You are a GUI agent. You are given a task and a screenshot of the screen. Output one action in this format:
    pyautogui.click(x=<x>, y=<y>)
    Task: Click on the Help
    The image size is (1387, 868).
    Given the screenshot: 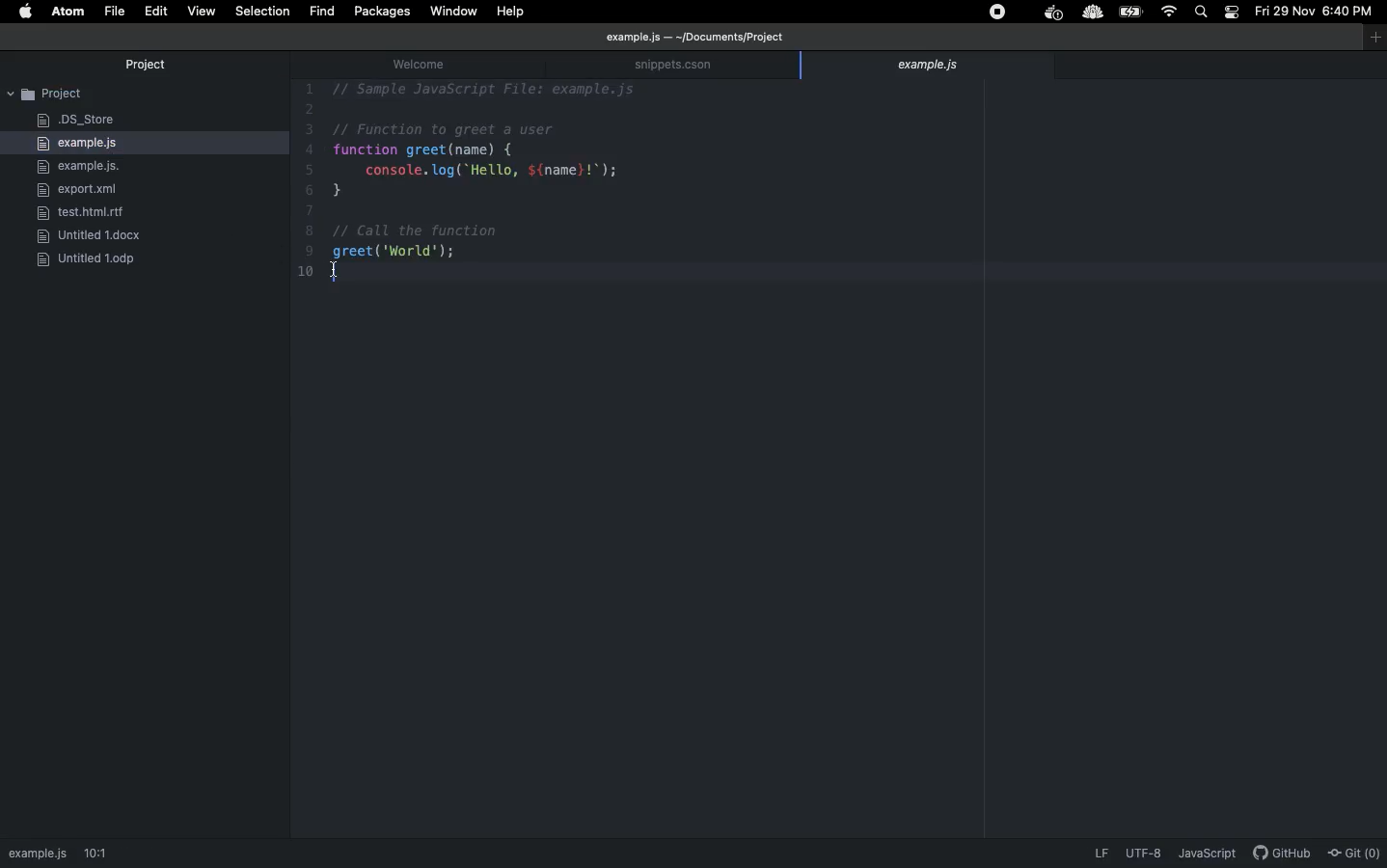 What is the action you would take?
    pyautogui.click(x=511, y=11)
    